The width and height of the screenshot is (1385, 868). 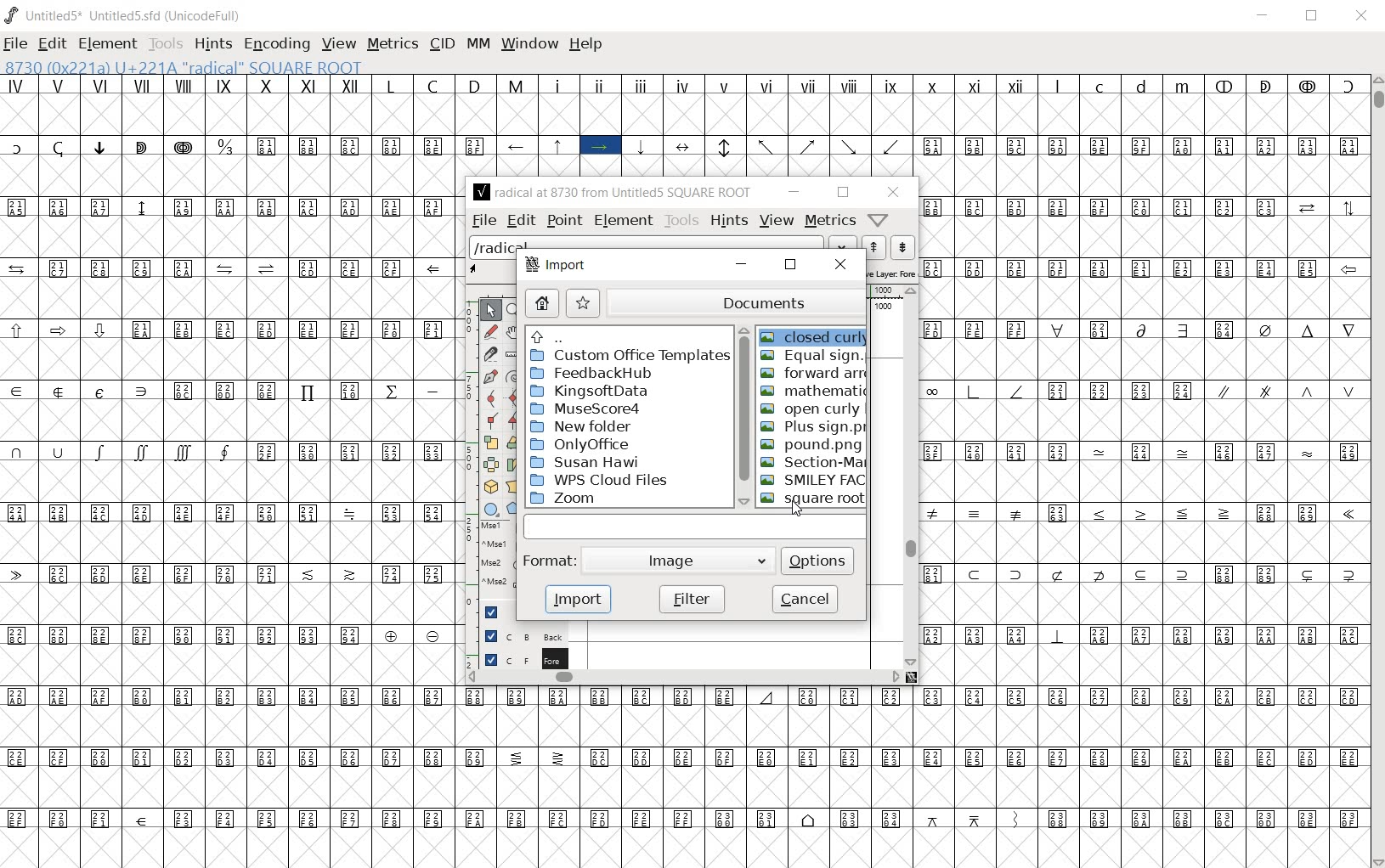 What do you see at coordinates (276, 45) in the screenshot?
I see `ENCODING` at bounding box center [276, 45].